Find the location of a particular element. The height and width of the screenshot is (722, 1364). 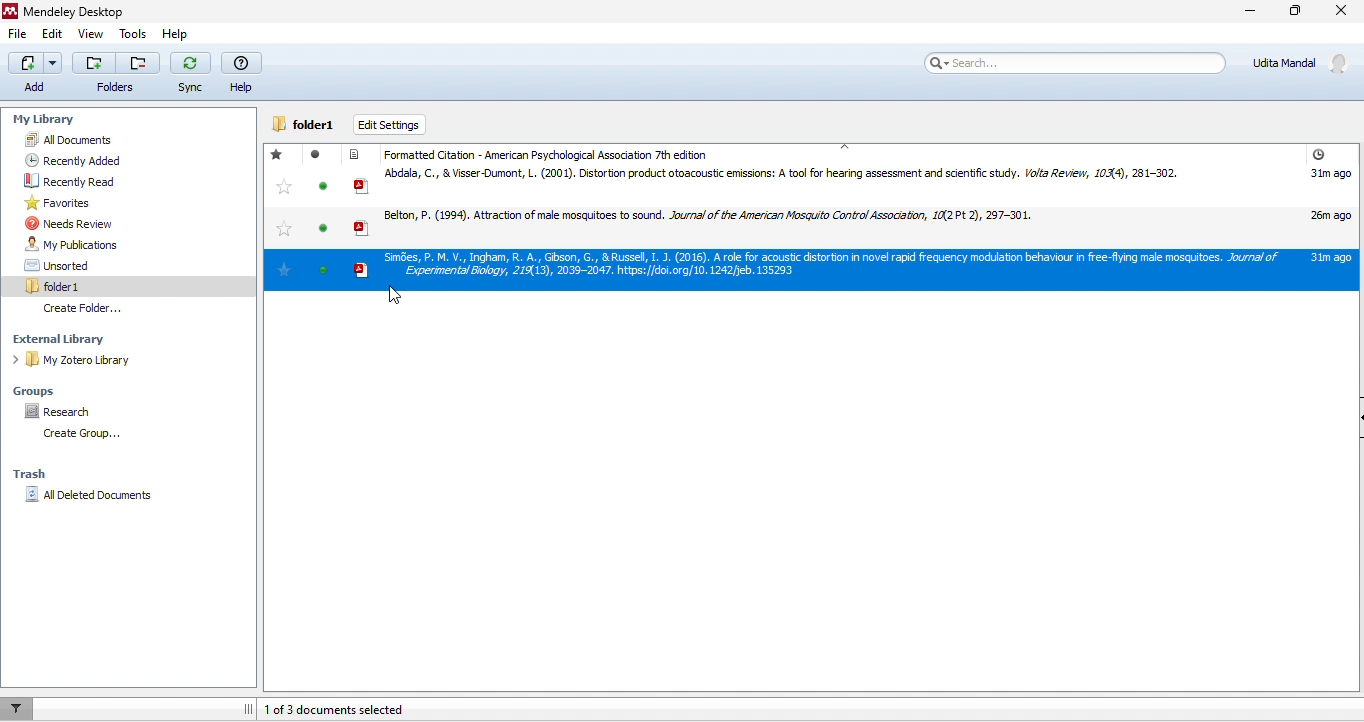

favorites is located at coordinates (57, 203).